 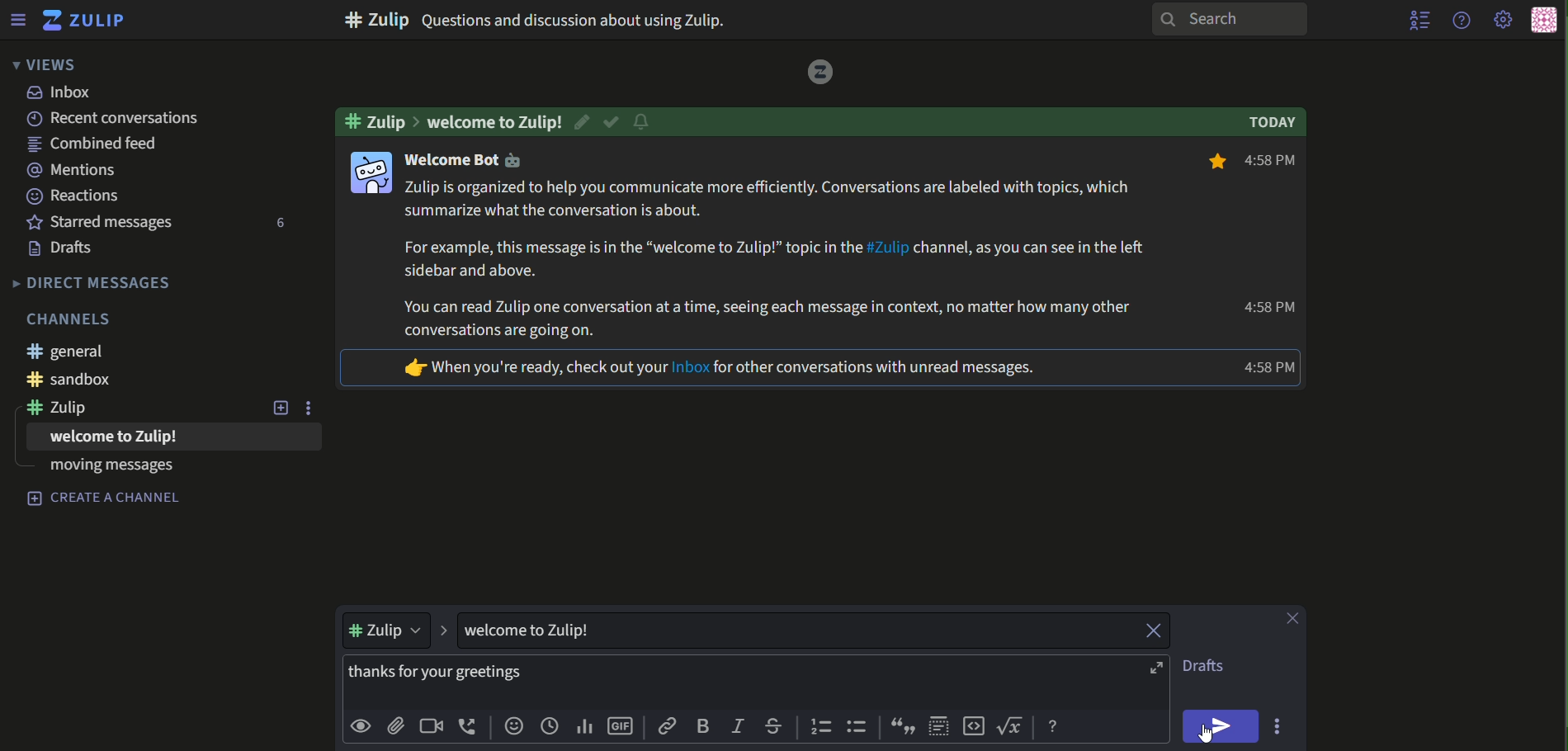 I want to click on add gif, so click(x=621, y=728).